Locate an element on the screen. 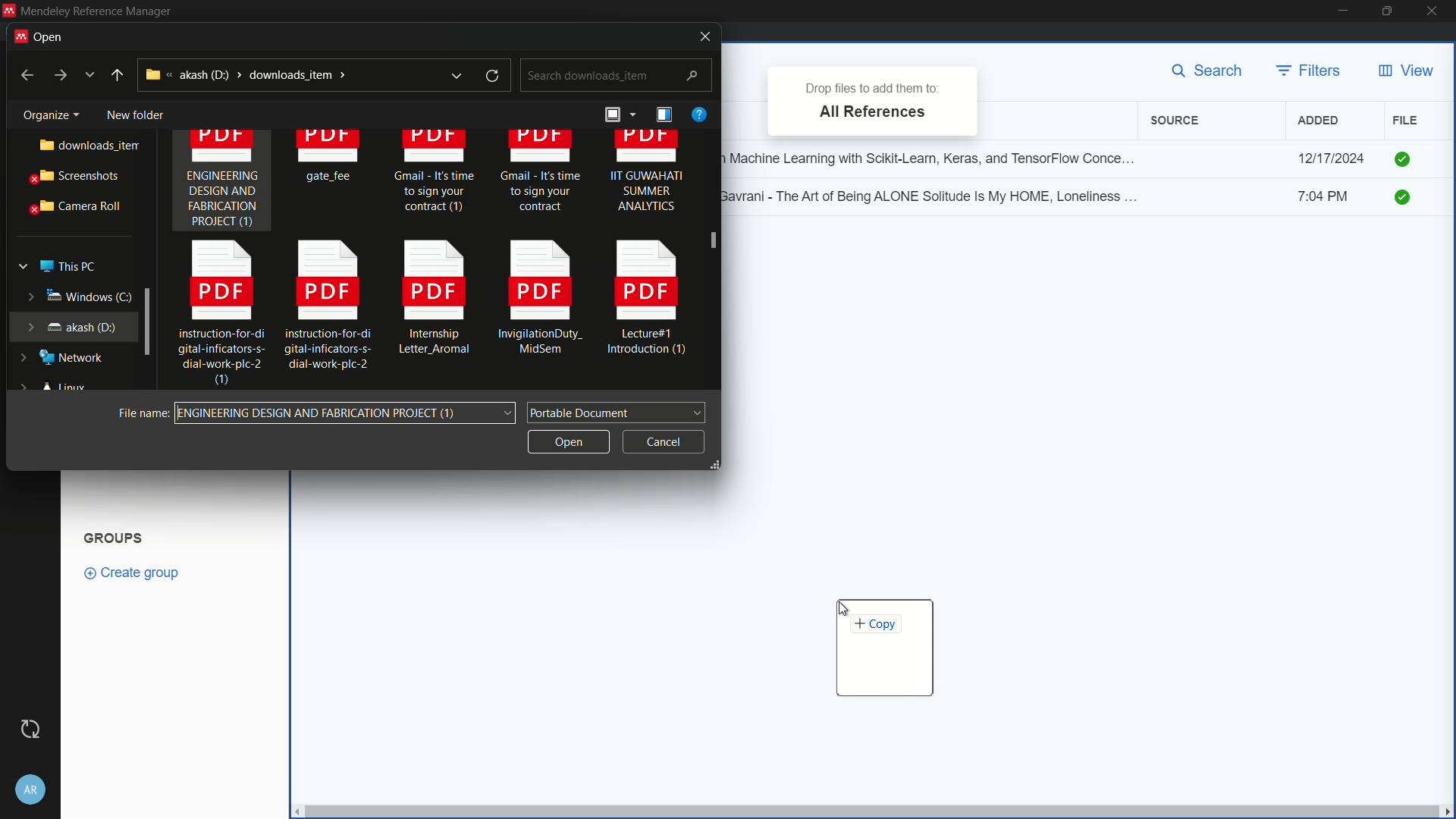  scroll left is located at coordinates (294, 811).